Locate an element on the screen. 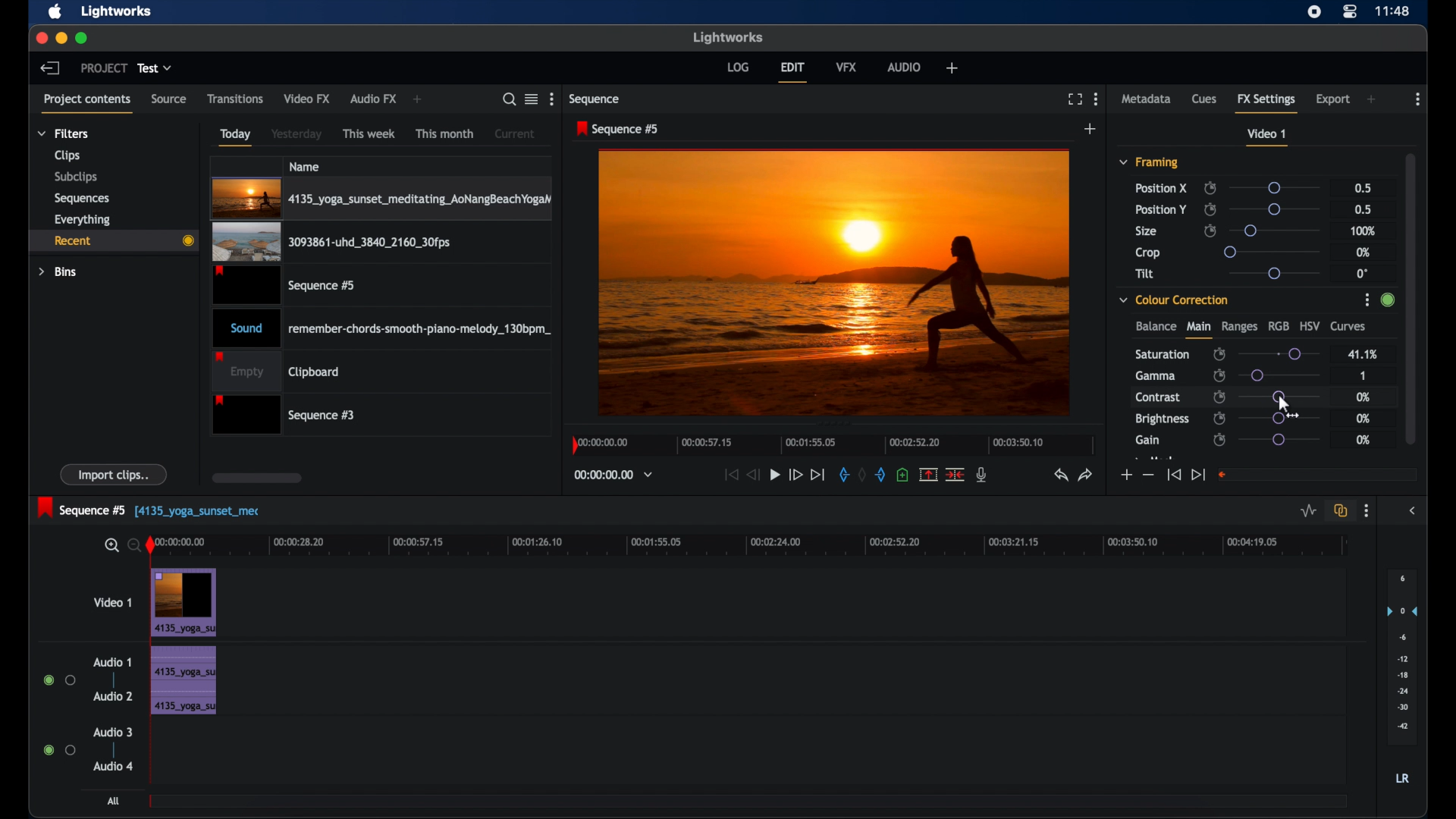 Image resolution: width=1456 pixels, height=819 pixels. log is located at coordinates (738, 66).